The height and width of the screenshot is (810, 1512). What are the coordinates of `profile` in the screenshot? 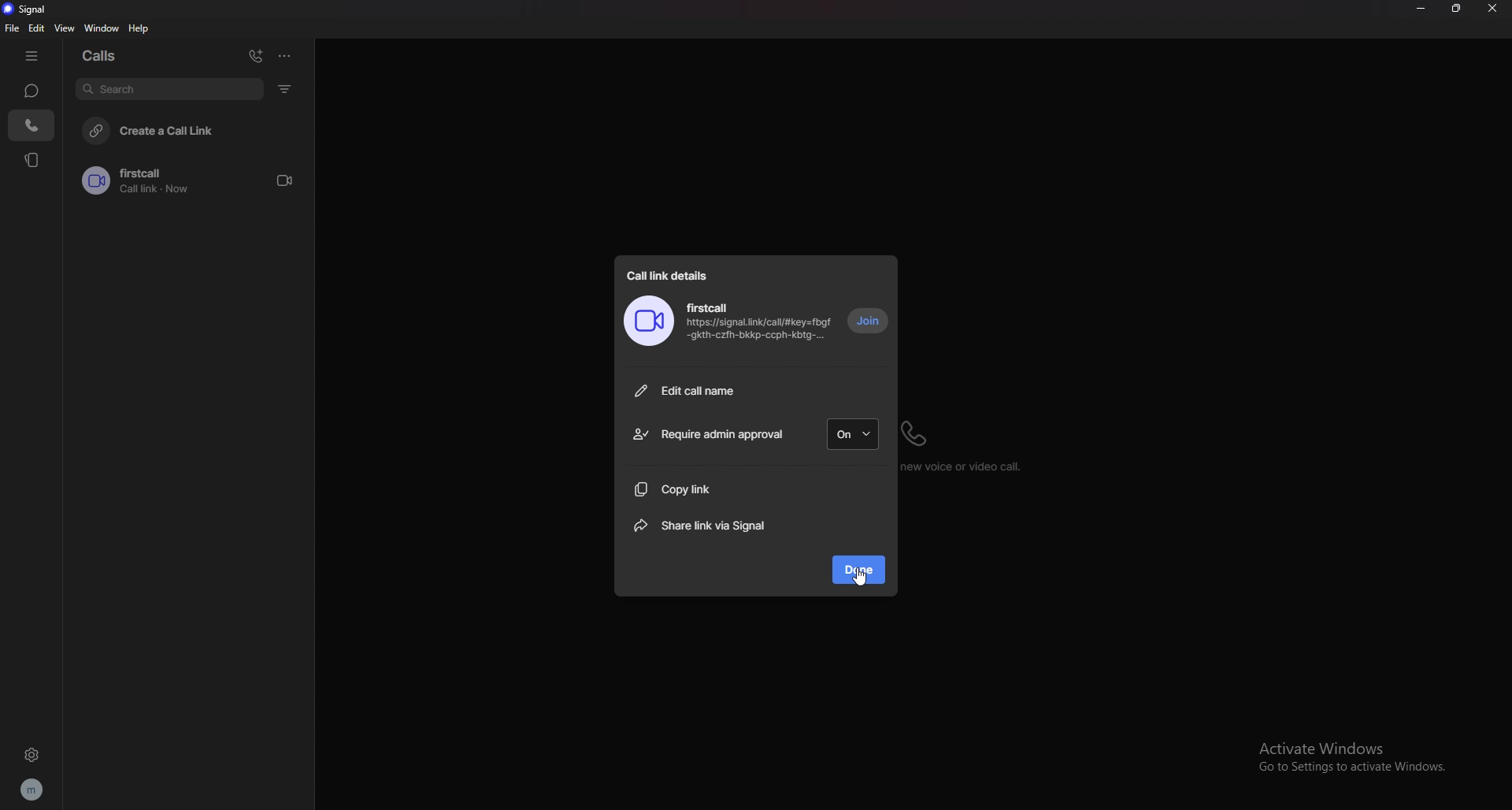 It's located at (31, 790).